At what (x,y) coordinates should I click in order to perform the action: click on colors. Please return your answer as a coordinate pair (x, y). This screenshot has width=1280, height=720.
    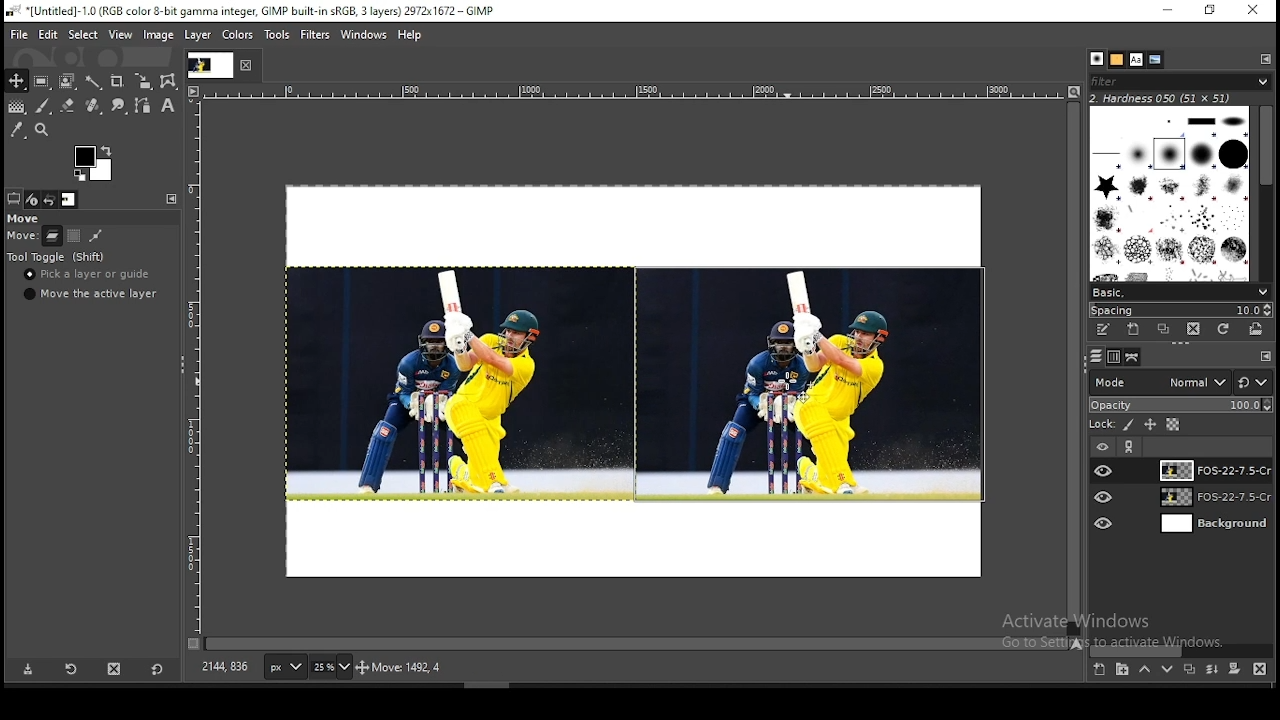
    Looking at the image, I should click on (240, 36).